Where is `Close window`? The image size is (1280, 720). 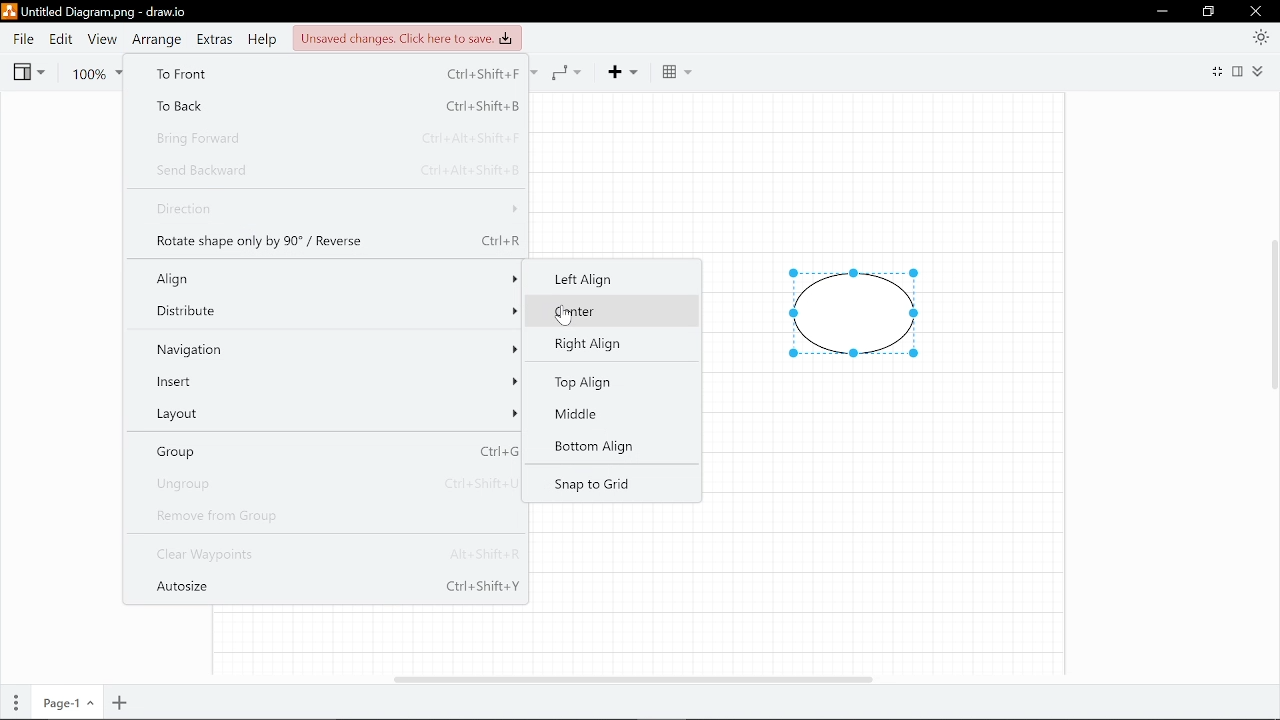
Close window is located at coordinates (1257, 11).